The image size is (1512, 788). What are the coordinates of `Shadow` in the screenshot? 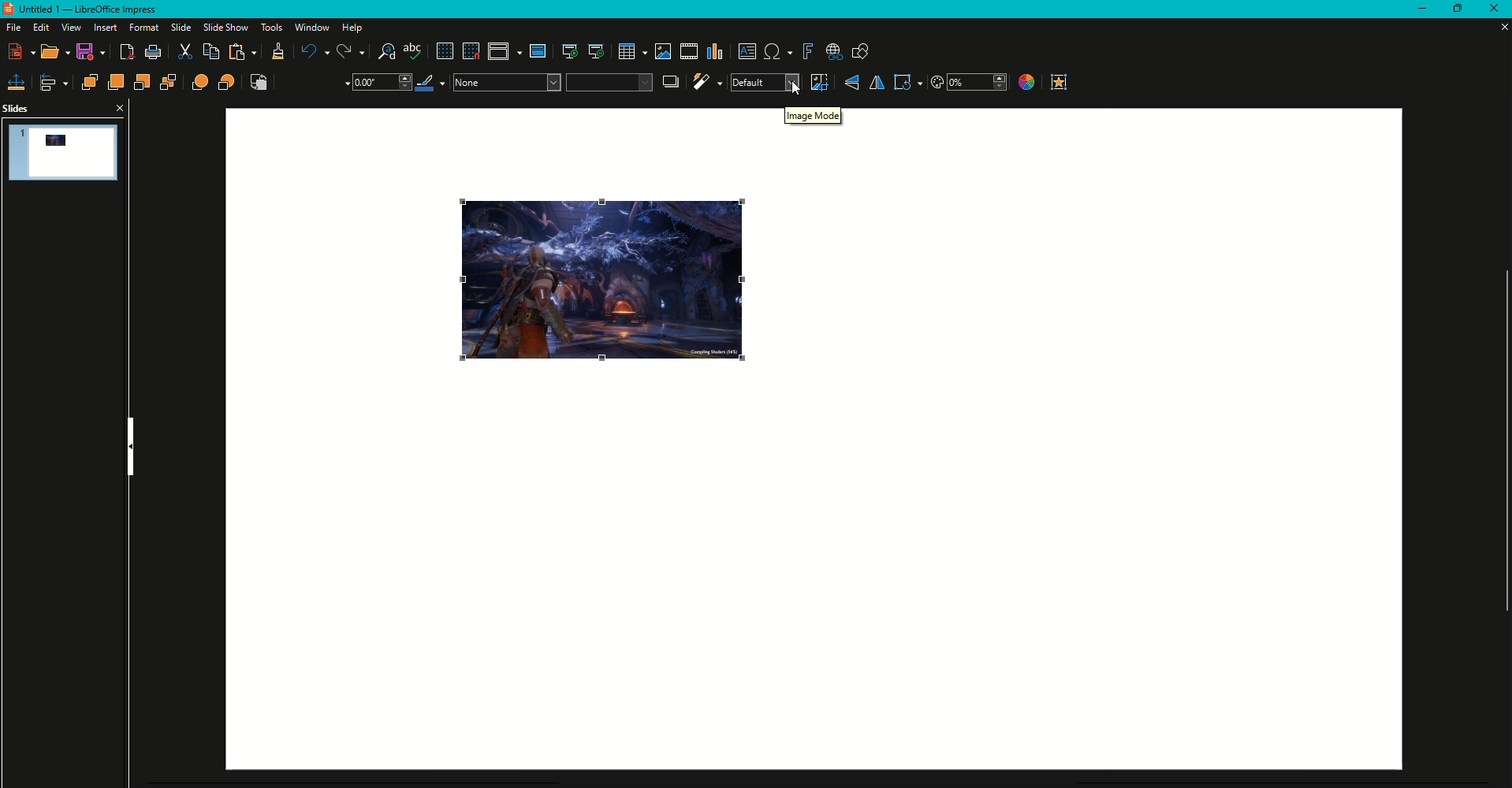 It's located at (672, 81).